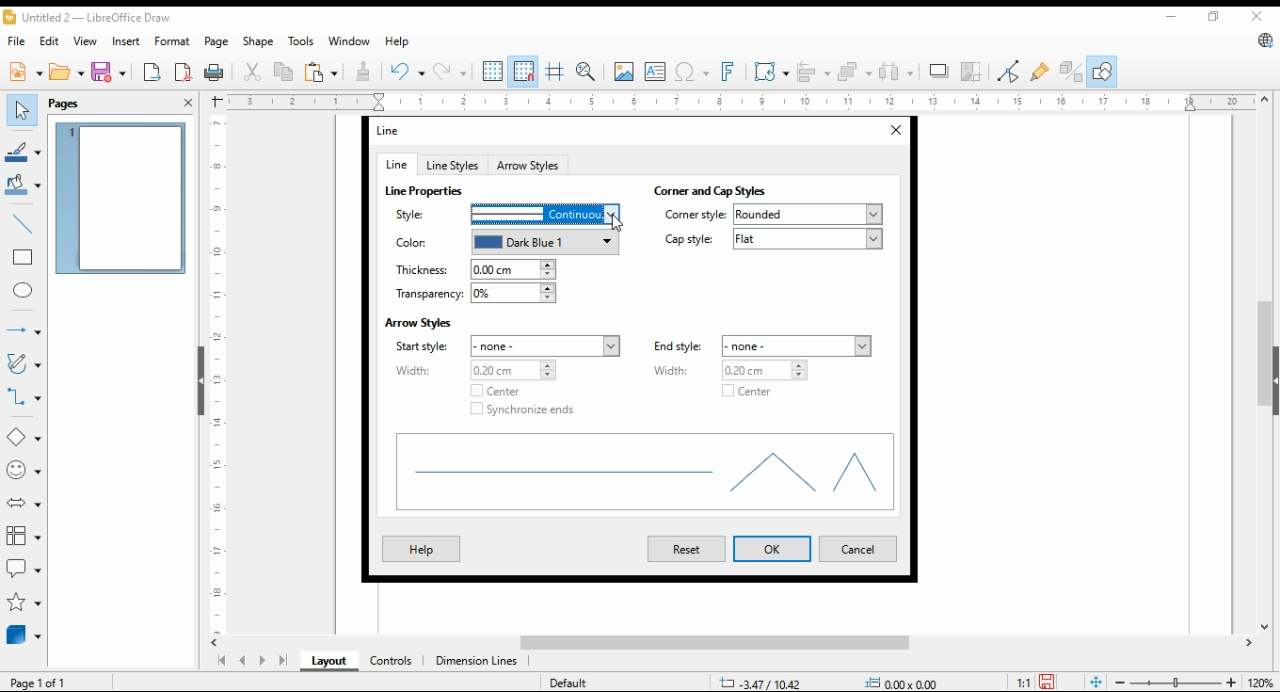  I want to click on page, so click(219, 41).